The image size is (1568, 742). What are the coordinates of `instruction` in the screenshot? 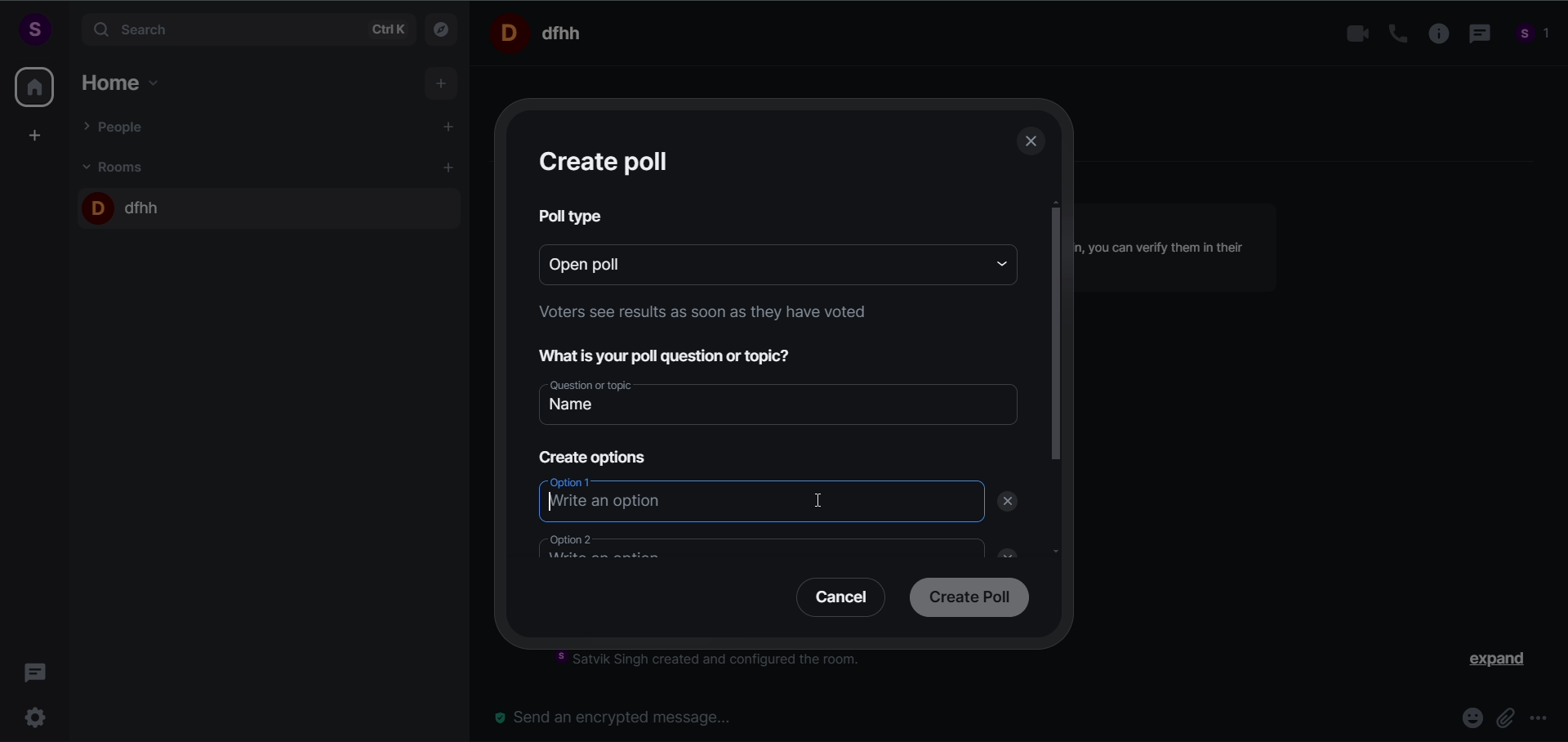 It's located at (698, 315).